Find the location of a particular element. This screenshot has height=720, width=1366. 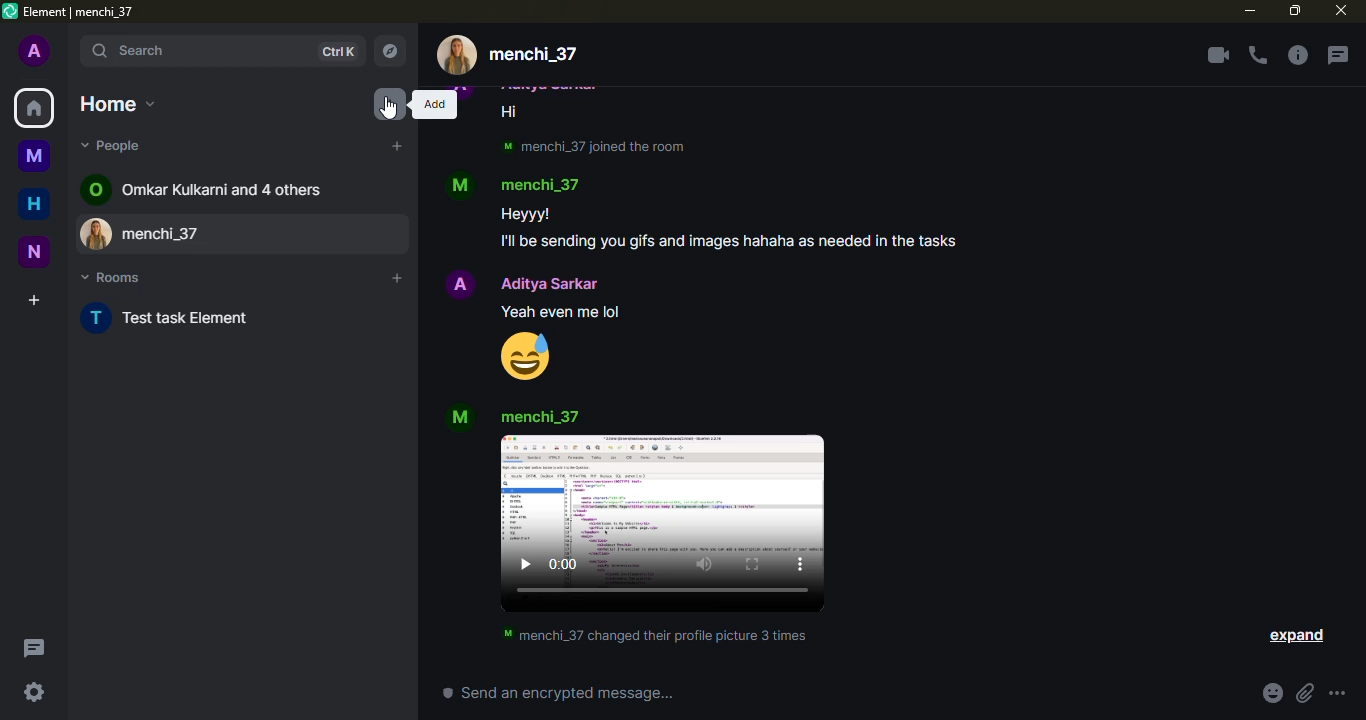

Profile initial is located at coordinates (460, 284).